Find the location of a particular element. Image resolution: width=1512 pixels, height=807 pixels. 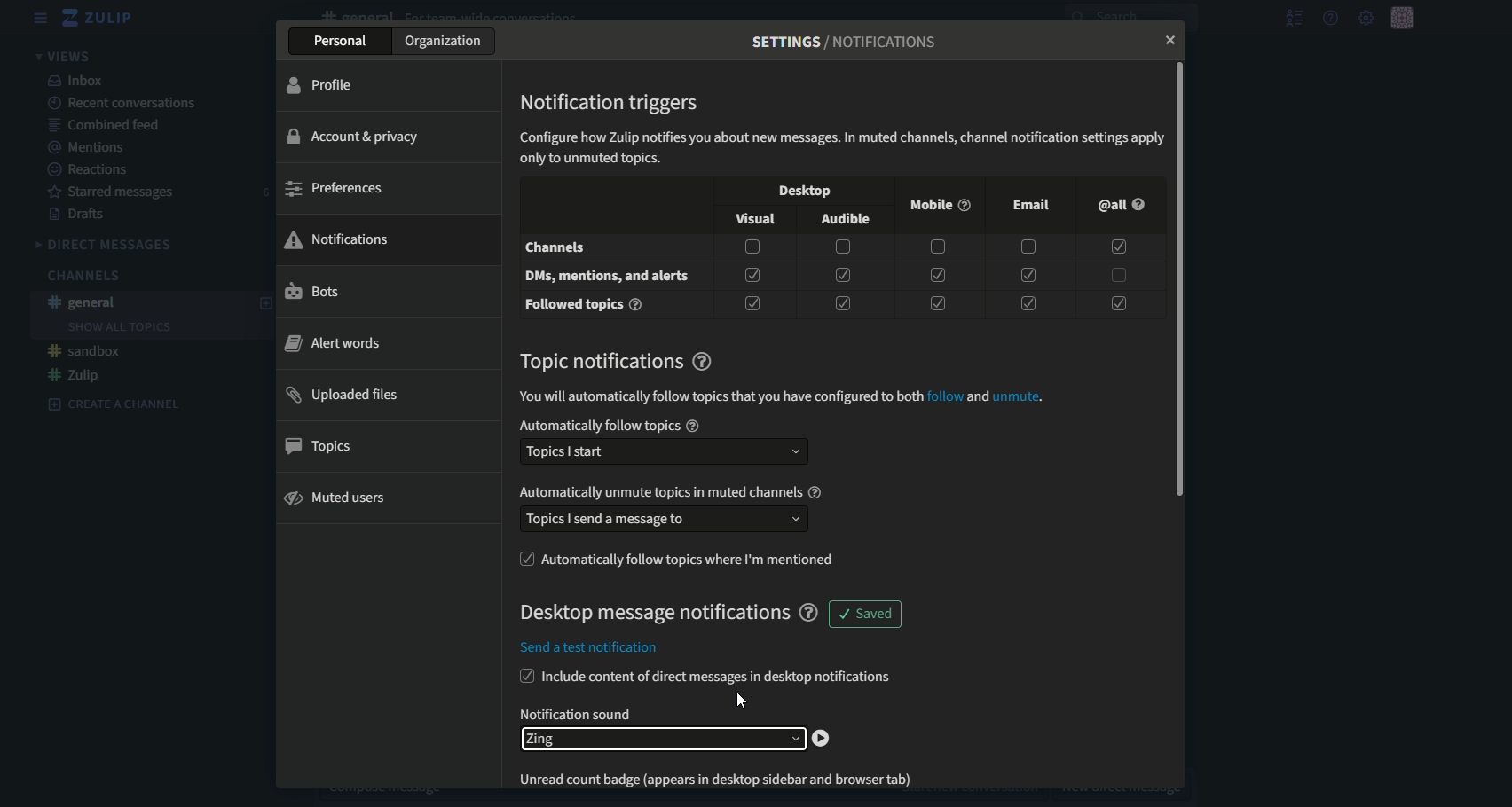

checkbox is located at coordinates (1028, 248).